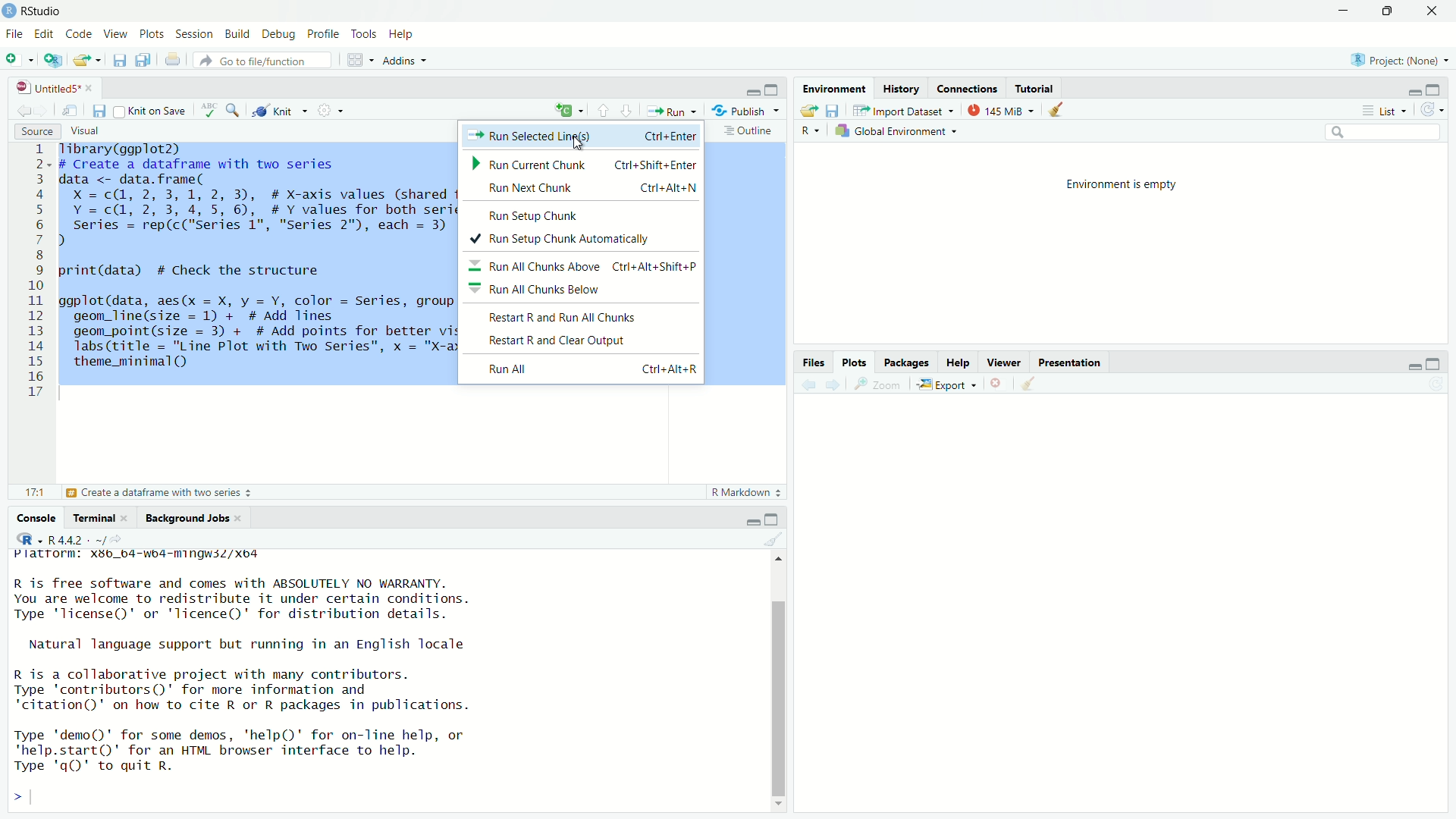  Describe the element at coordinates (279, 36) in the screenshot. I see `Debug` at that location.